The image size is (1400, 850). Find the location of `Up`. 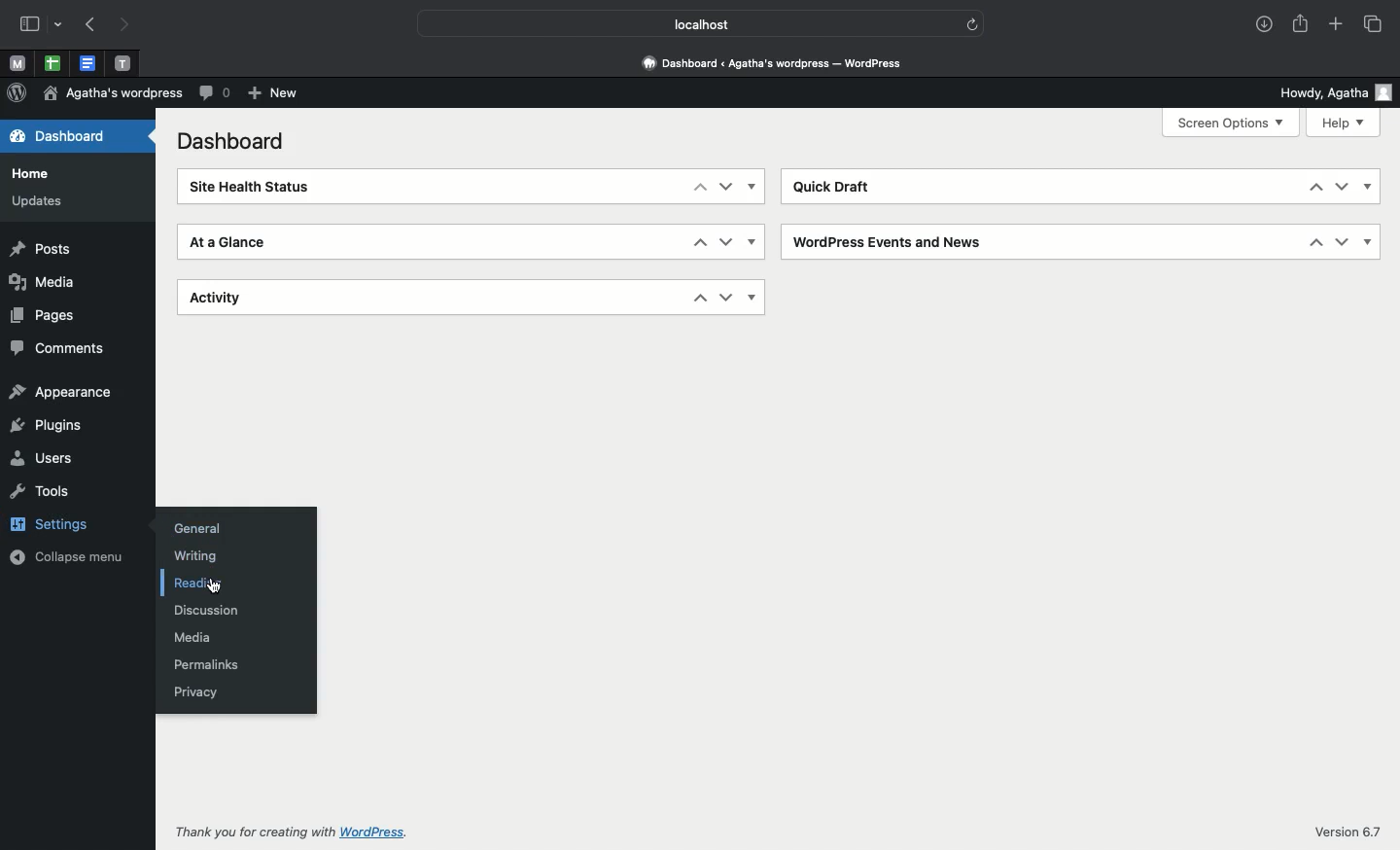

Up is located at coordinates (1319, 189).